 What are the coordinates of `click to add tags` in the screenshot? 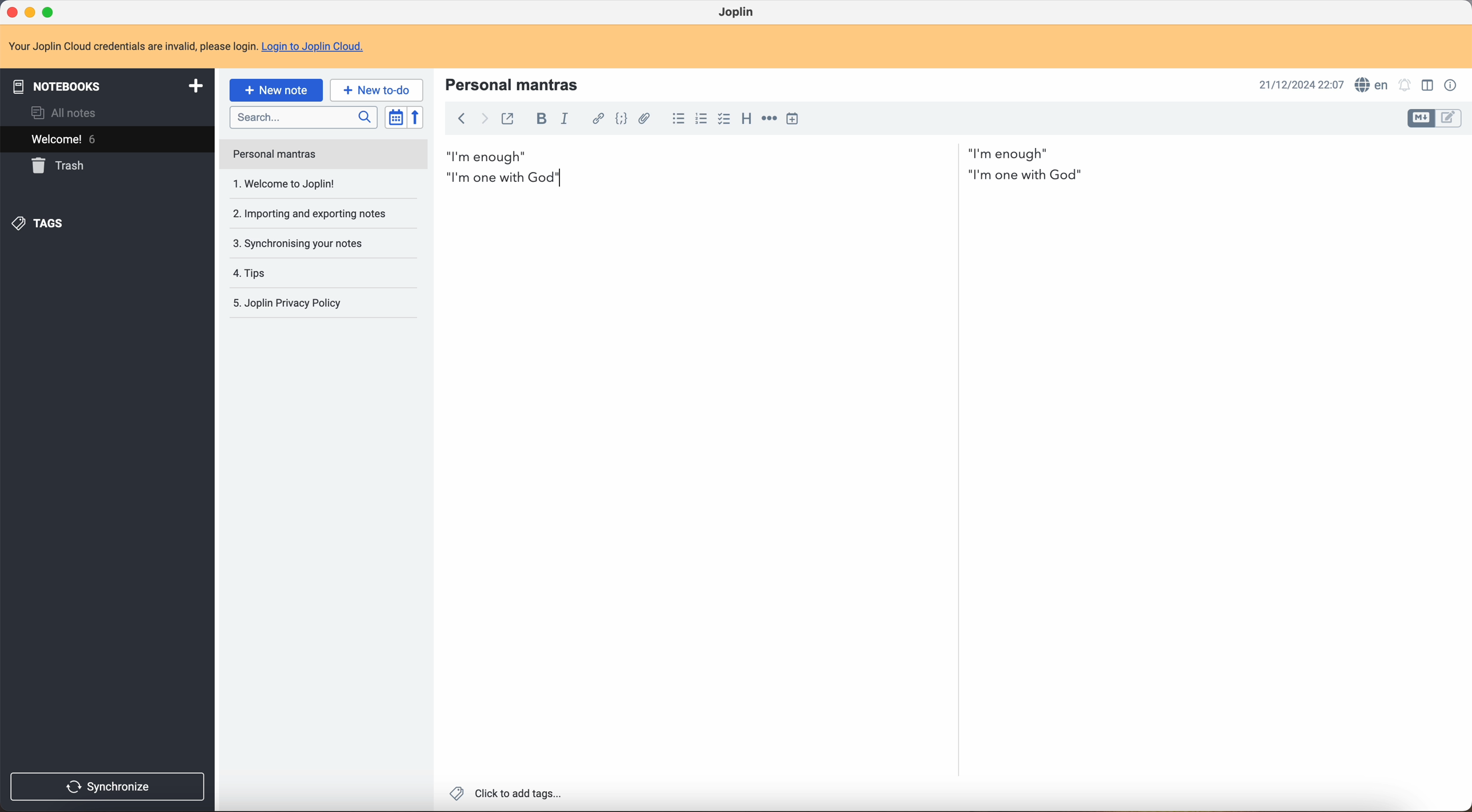 It's located at (504, 795).